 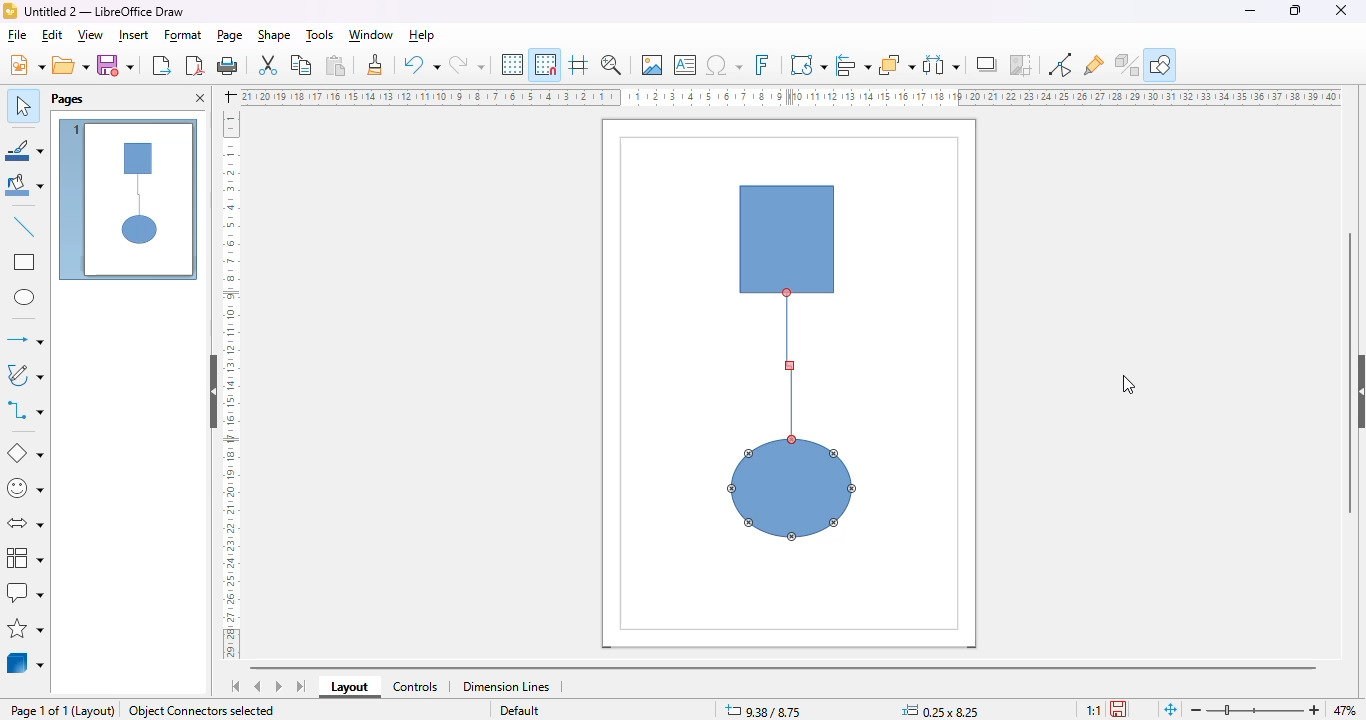 I want to click on basic shapes, so click(x=26, y=454).